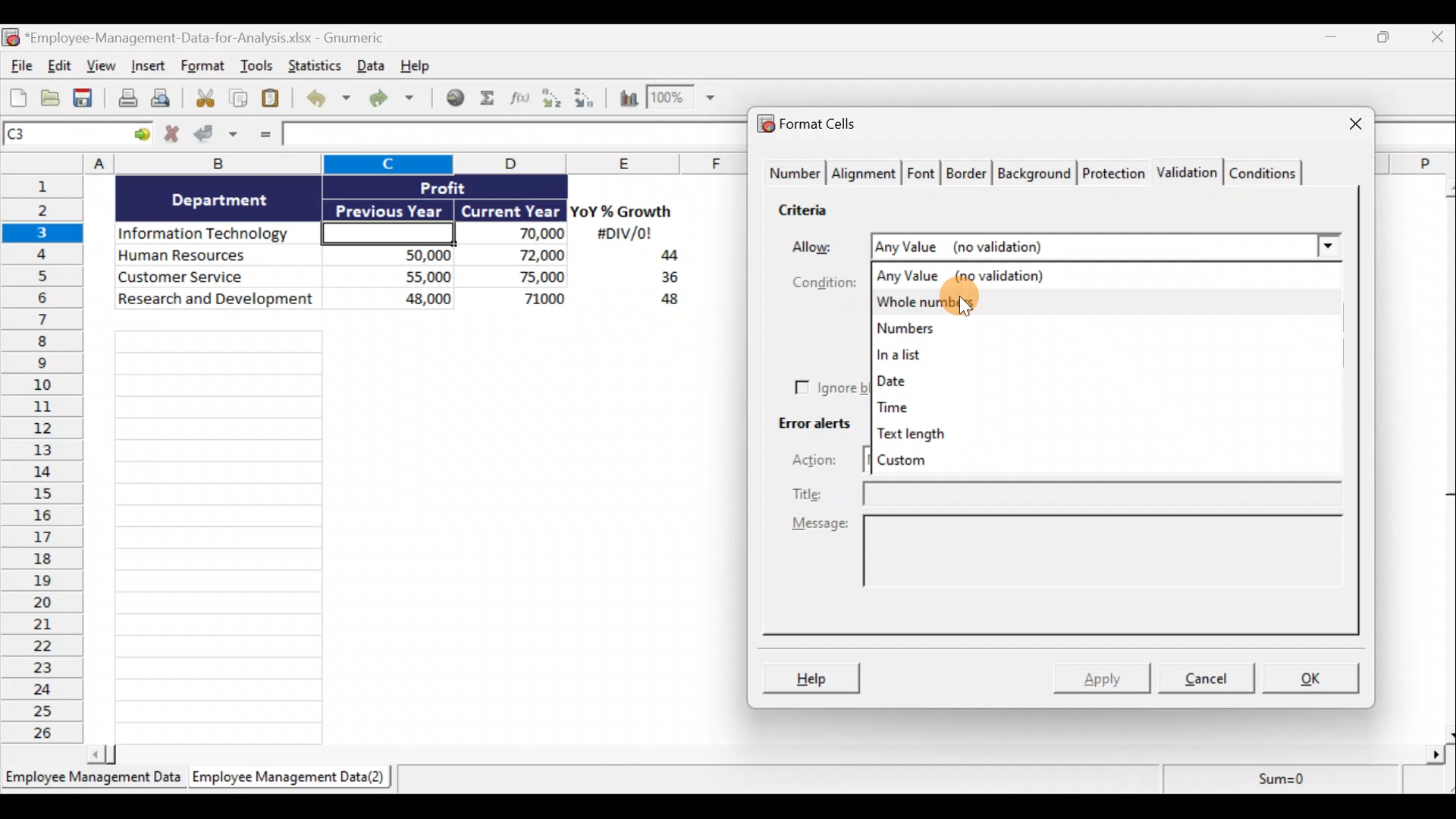  What do you see at coordinates (519, 278) in the screenshot?
I see `75,000` at bounding box center [519, 278].